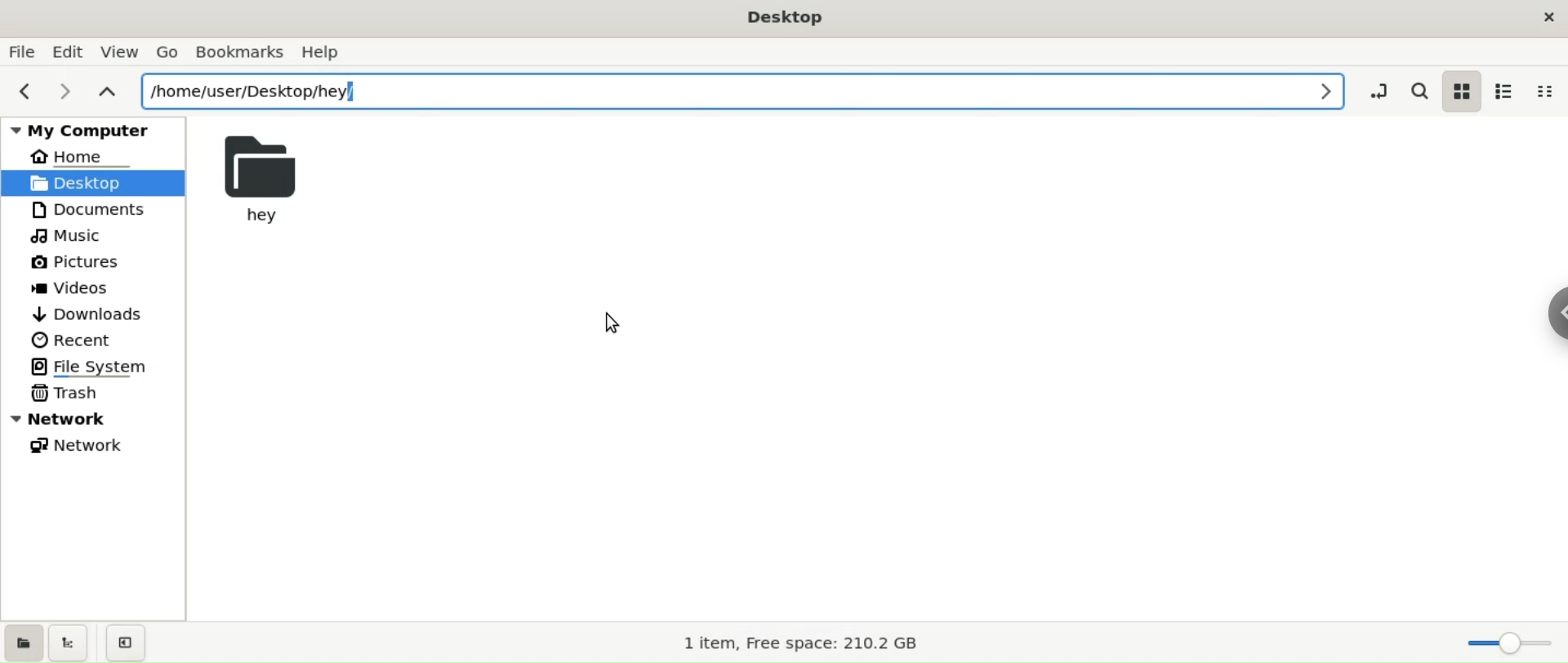 The image size is (1568, 663). Describe the element at coordinates (1510, 642) in the screenshot. I see `zoom Slider` at that location.